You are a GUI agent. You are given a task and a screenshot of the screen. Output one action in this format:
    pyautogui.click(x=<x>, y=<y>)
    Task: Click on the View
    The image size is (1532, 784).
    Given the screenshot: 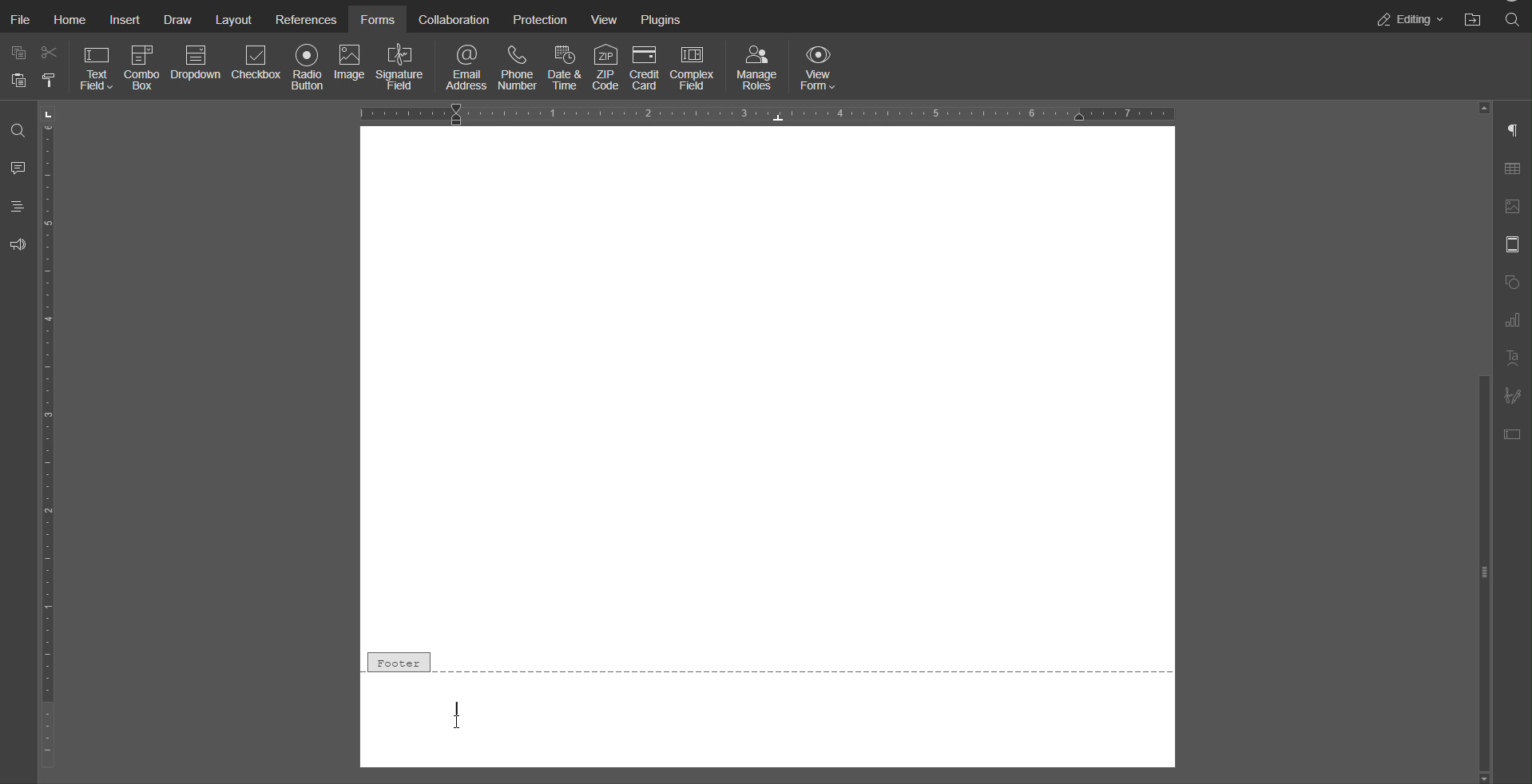 What is the action you would take?
    pyautogui.click(x=605, y=18)
    